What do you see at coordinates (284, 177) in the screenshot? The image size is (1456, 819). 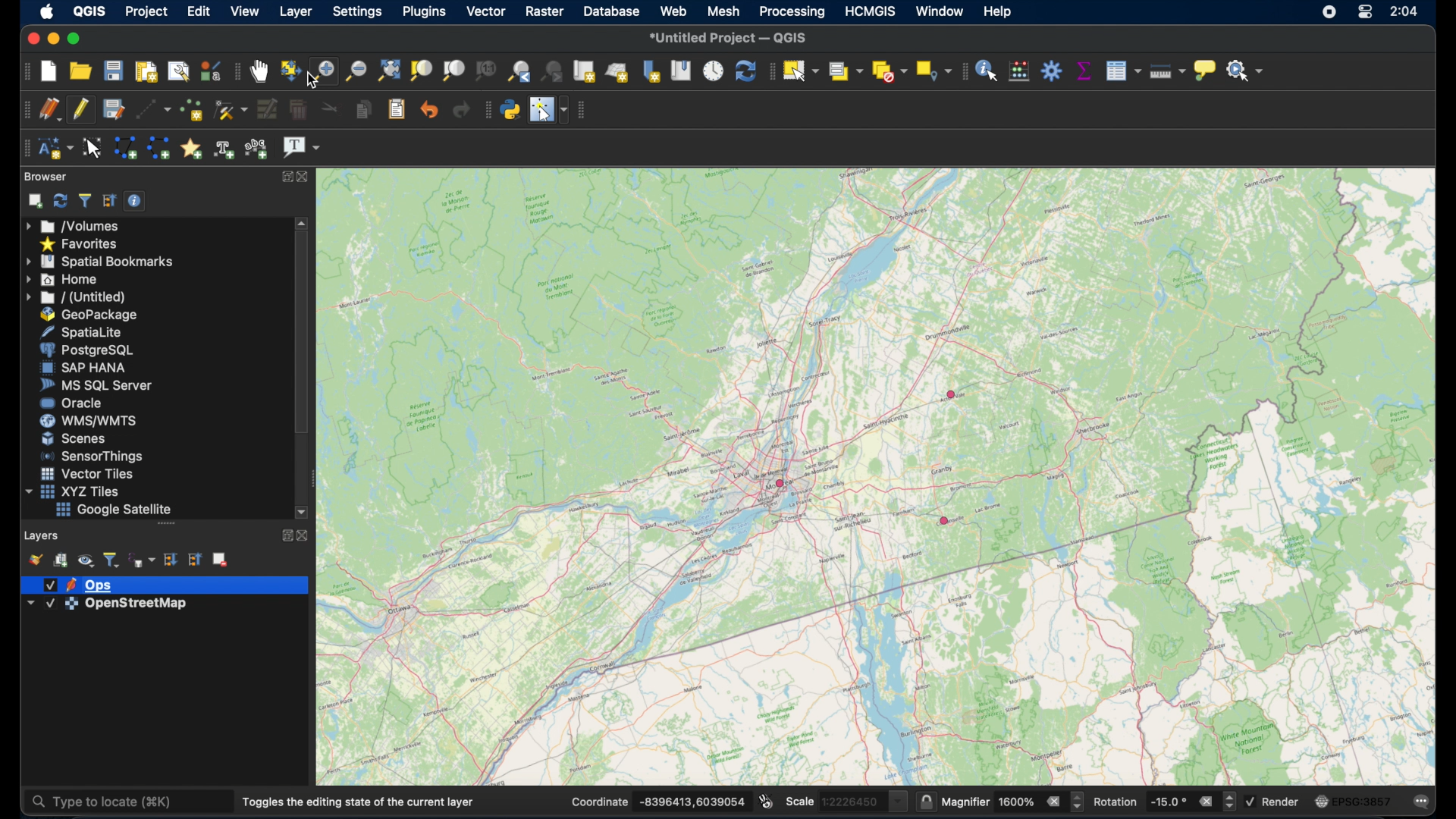 I see `expand` at bounding box center [284, 177].